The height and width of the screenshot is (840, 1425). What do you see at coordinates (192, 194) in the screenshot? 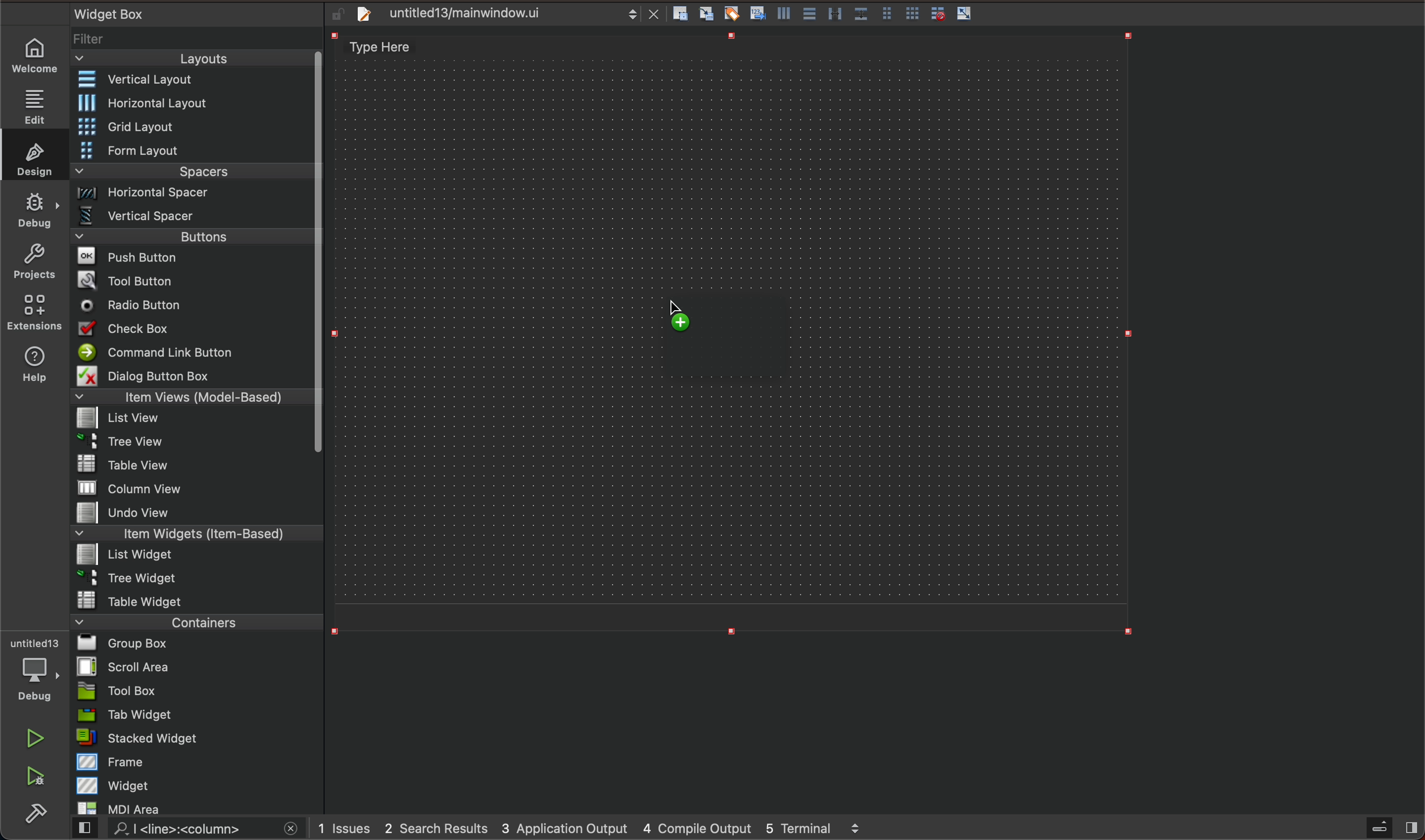
I see `Horizontal spacer` at bounding box center [192, 194].